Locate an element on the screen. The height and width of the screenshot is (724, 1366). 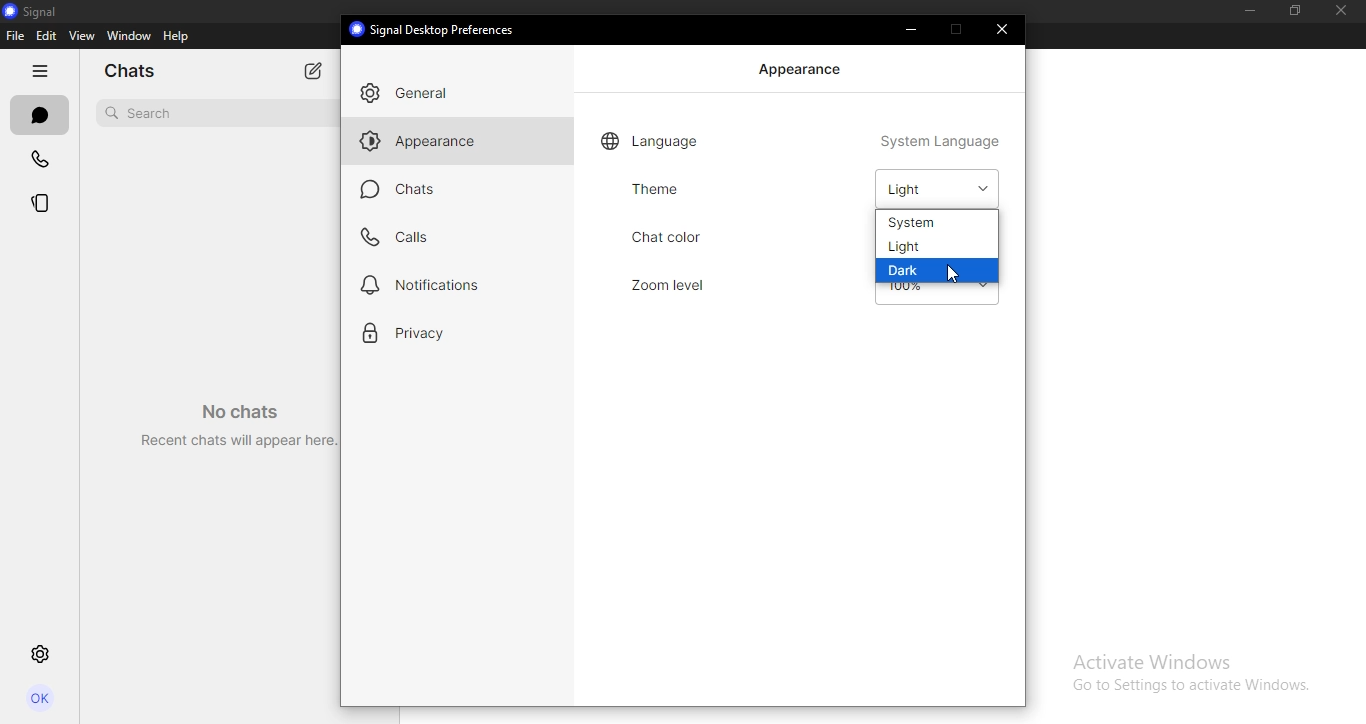
zoom level is located at coordinates (680, 282).